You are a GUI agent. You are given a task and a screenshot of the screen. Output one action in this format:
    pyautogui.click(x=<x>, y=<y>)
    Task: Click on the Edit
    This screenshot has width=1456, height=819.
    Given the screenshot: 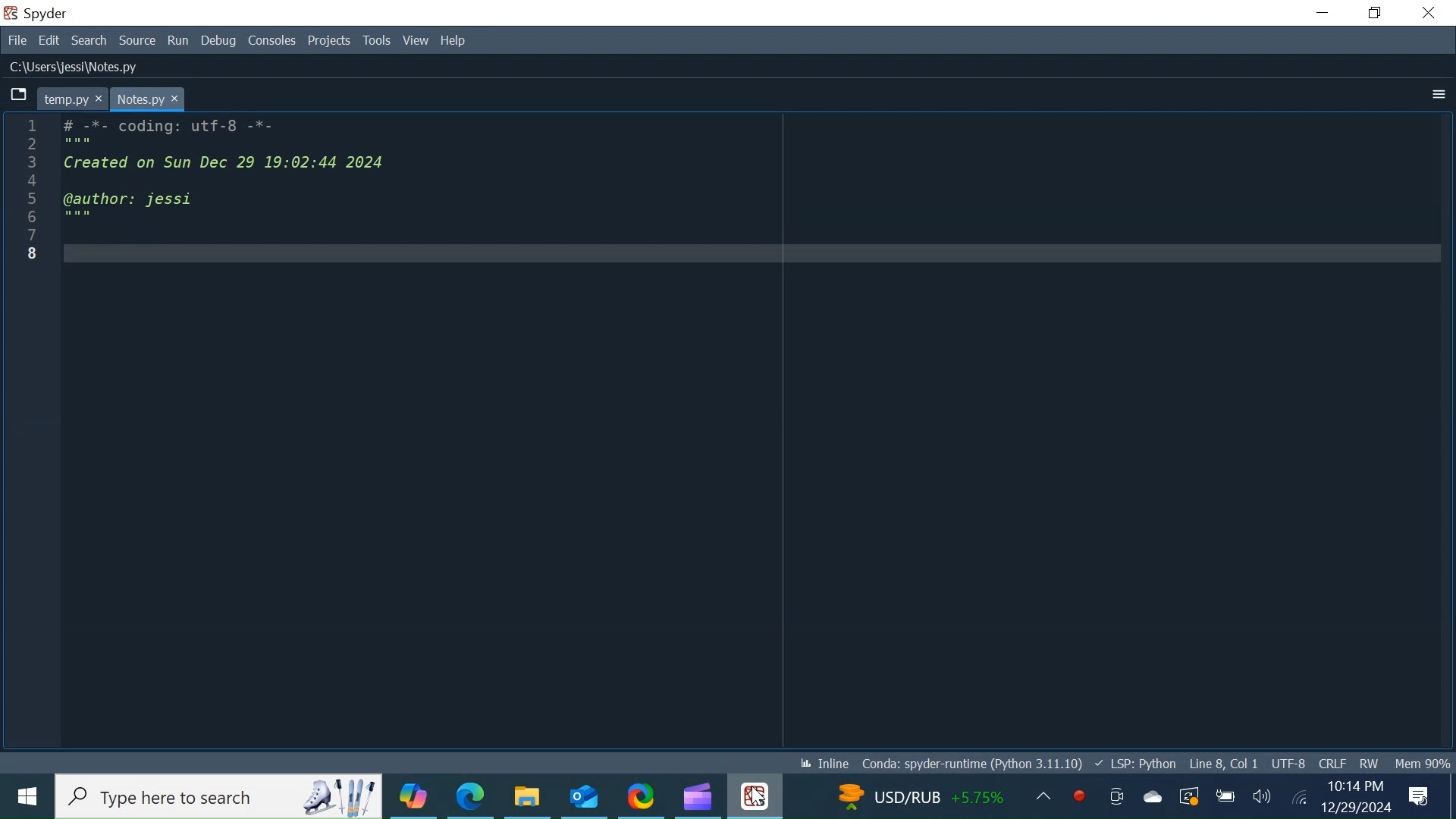 What is the action you would take?
    pyautogui.click(x=51, y=40)
    